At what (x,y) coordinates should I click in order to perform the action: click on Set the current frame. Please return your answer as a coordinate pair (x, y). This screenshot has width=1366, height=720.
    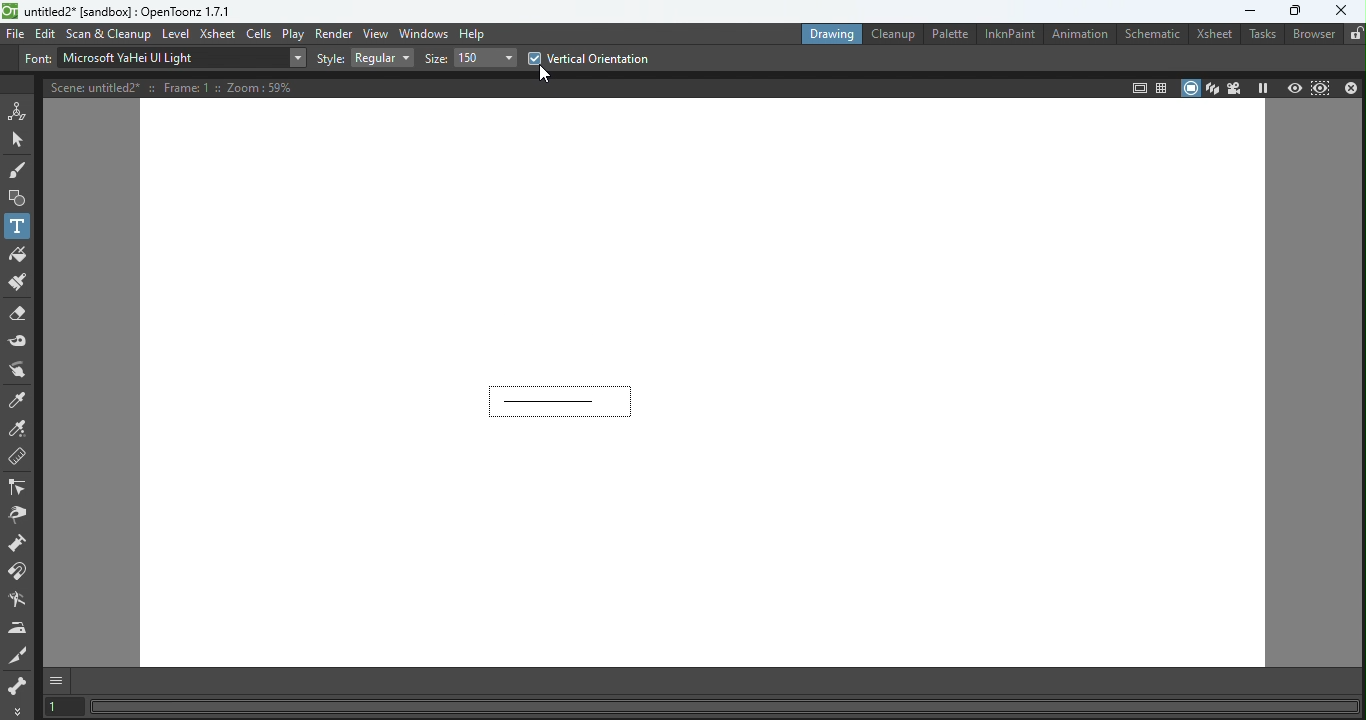
    Looking at the image, I should click on (64, 706).